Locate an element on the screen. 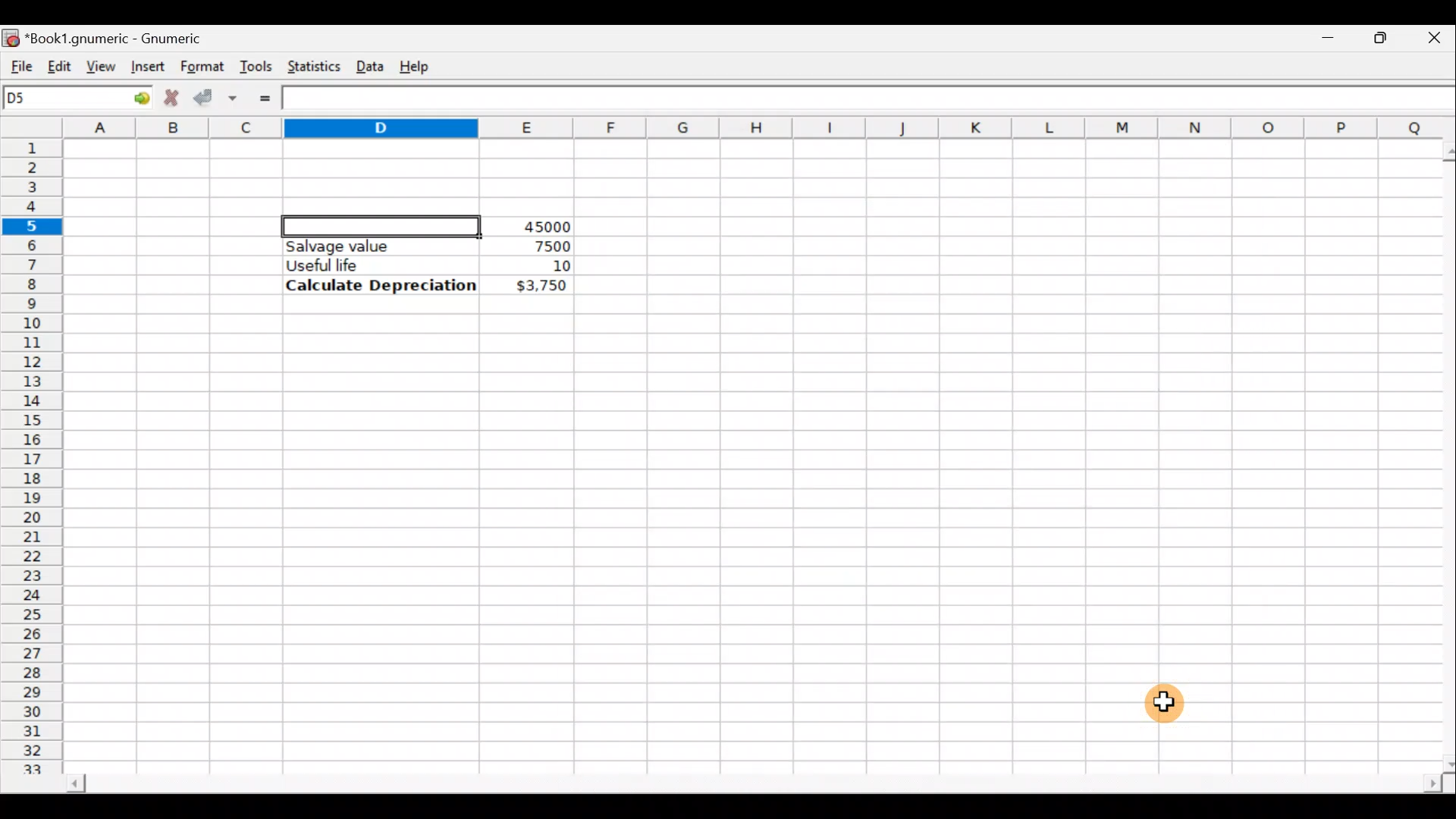 This screenshot has width=1456, height=819. Format is located at coordinates (201, 67).